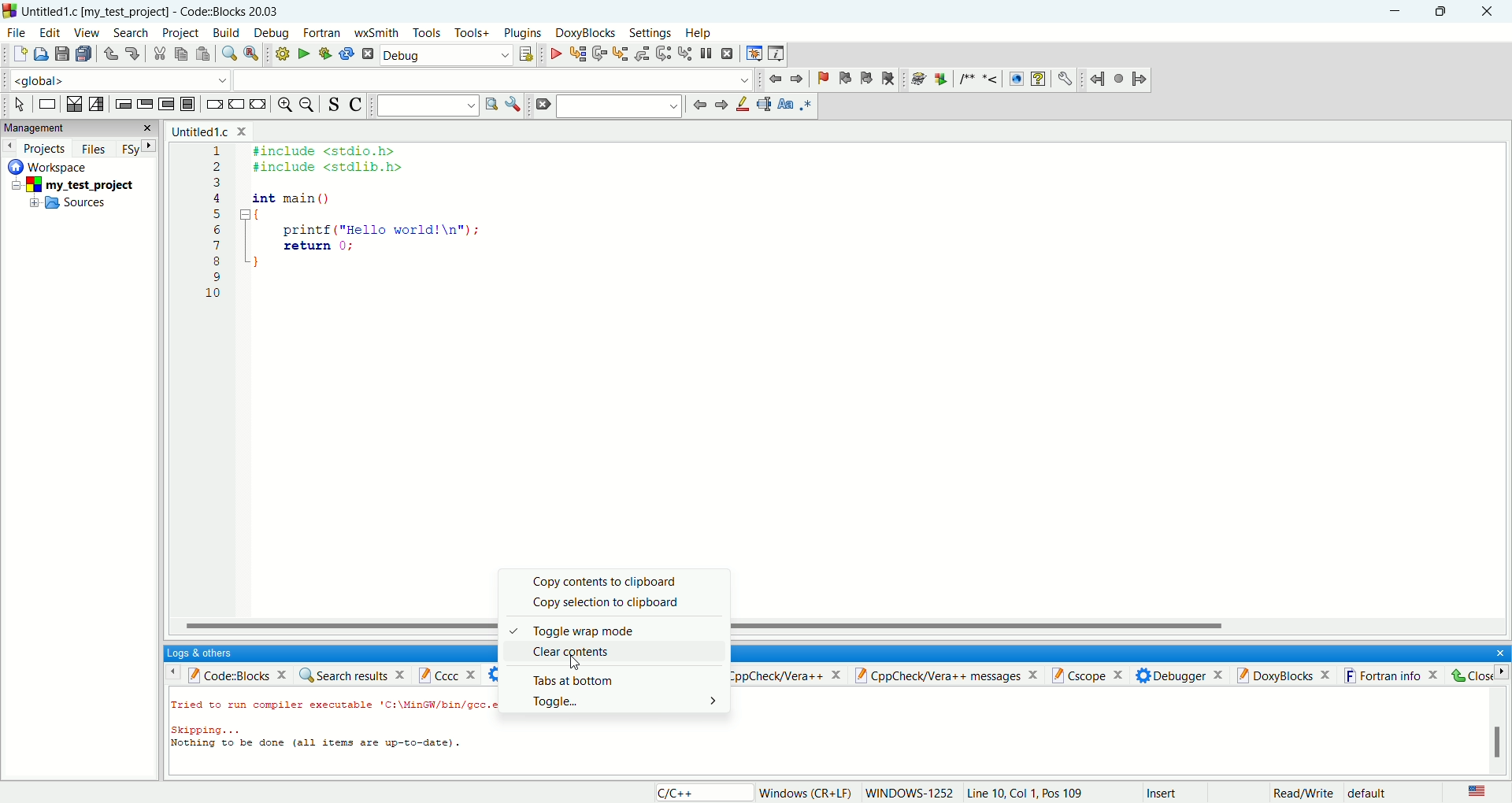  Describe the element at coordinates (542, 105) in the screenshot. I see `clear` at that location.